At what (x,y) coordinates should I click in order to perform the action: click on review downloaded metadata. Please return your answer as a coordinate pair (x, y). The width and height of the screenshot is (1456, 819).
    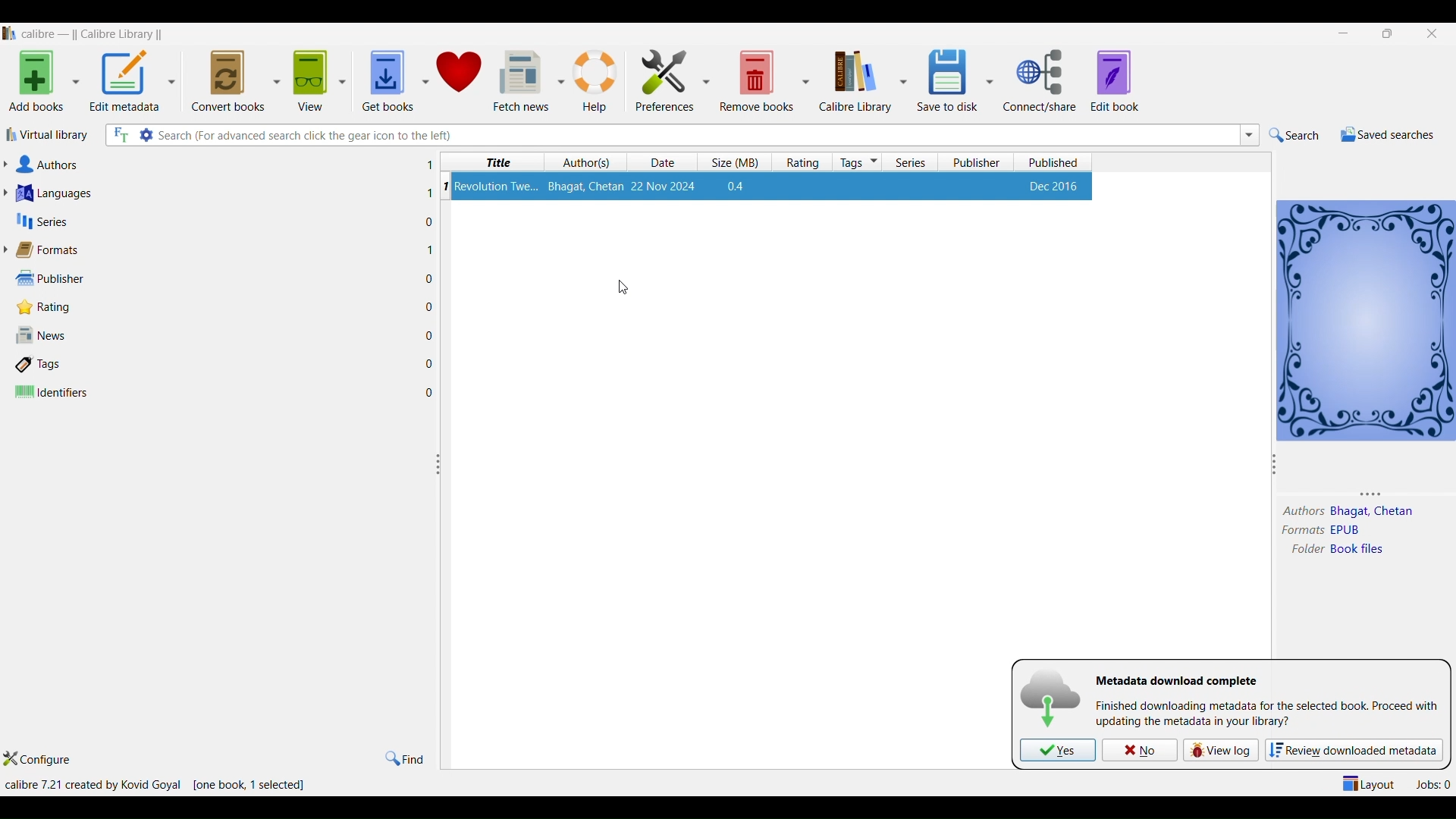
    Looking at the image, I should click on (1357, 749).